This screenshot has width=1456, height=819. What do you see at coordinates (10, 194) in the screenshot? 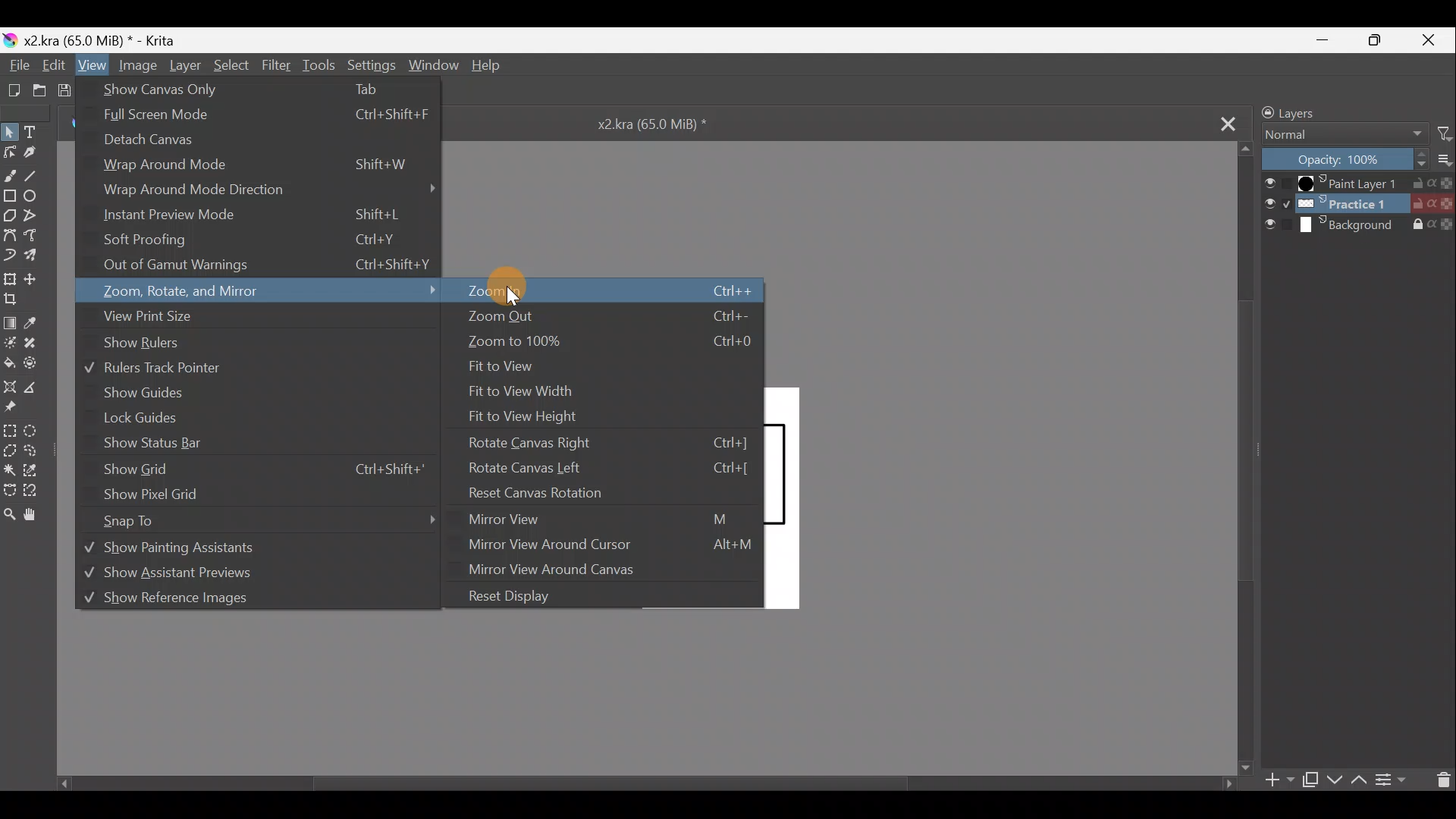
I see `Rectangle tool` at bounding box center [10, 194].